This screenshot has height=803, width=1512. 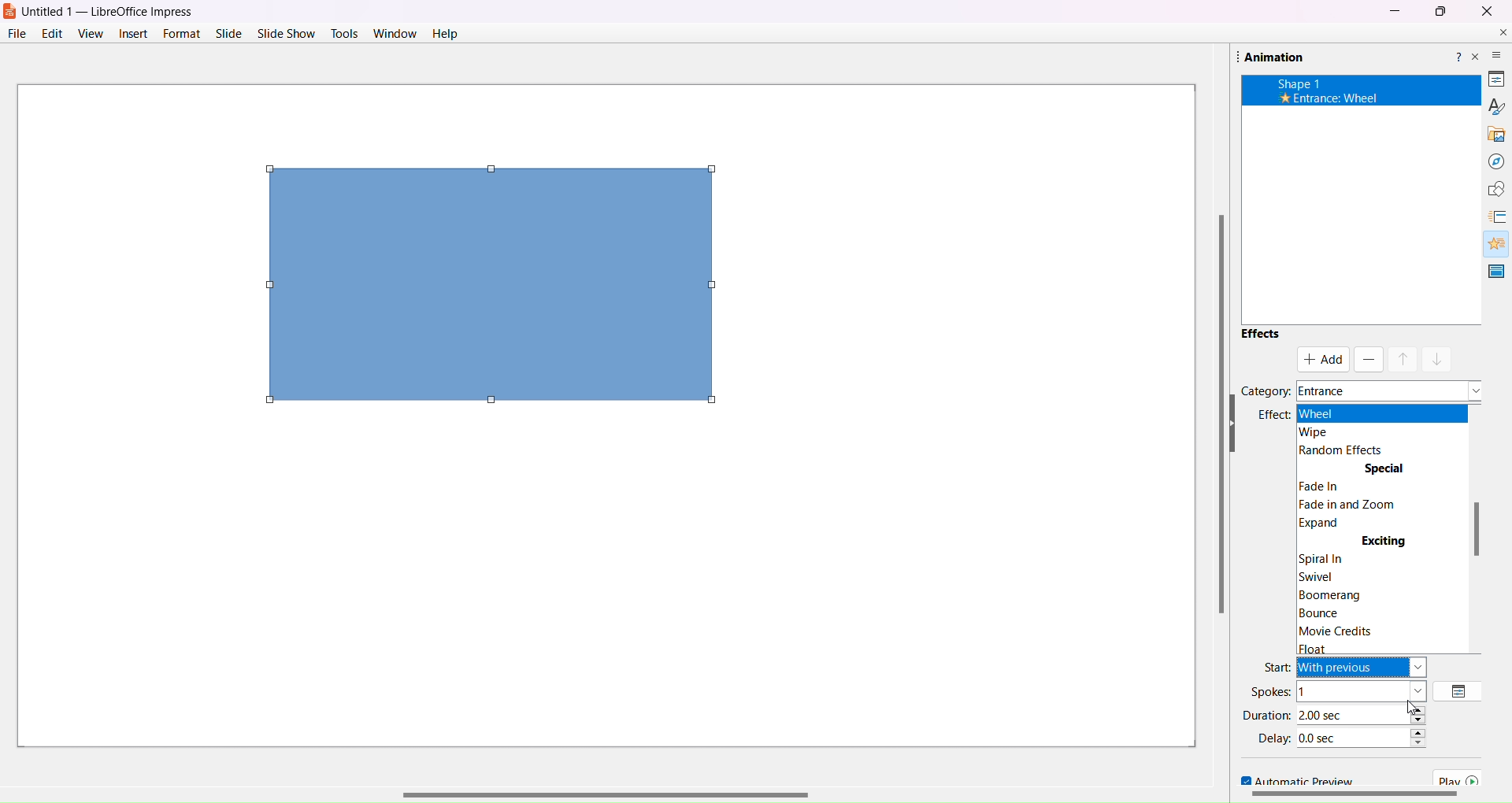 I want to click on Time Increase/Decrease, so click(x=1426, y=741).